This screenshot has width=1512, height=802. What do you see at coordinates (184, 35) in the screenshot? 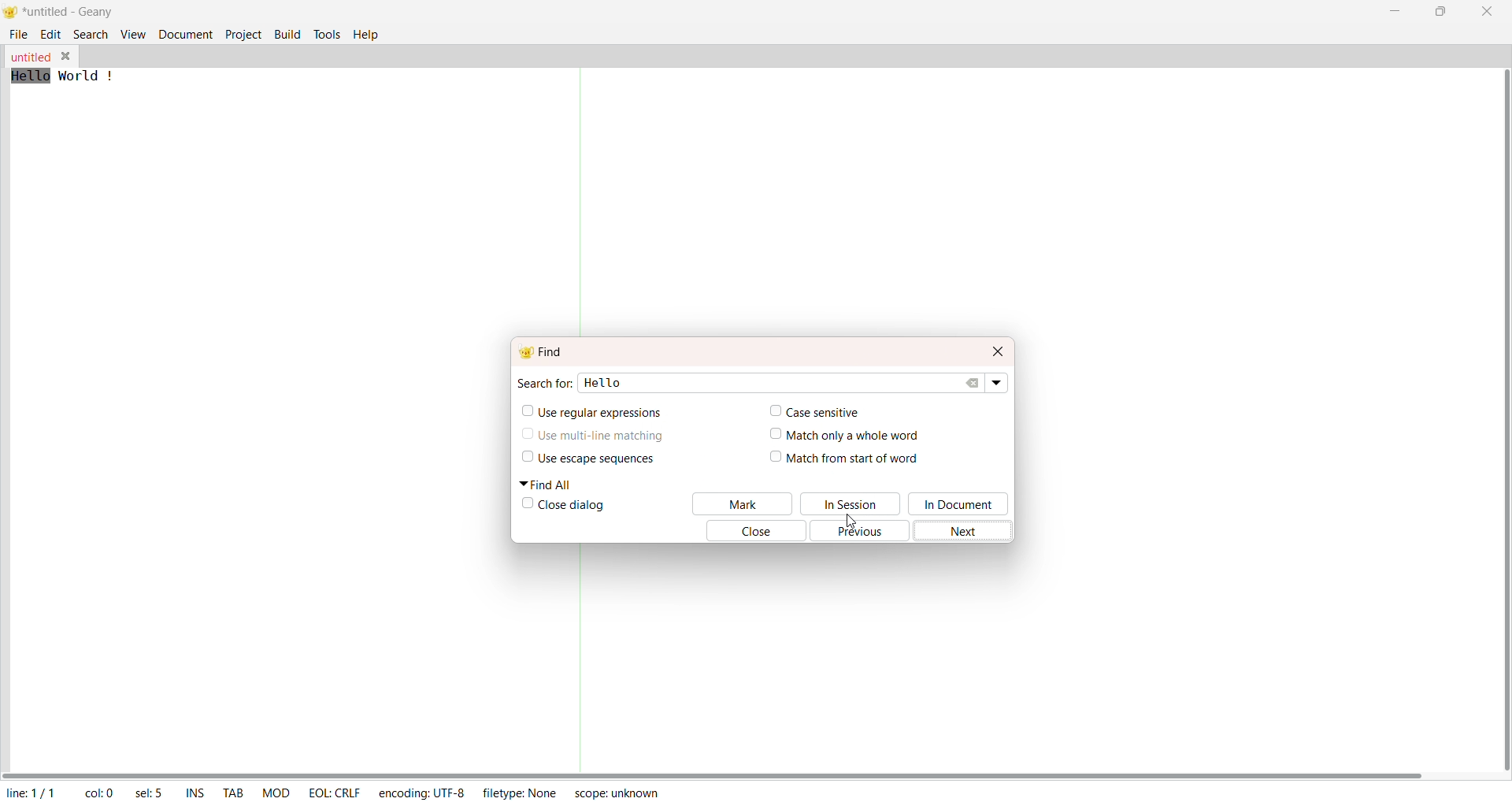
I see `Document` at bounding box center [184, 35].